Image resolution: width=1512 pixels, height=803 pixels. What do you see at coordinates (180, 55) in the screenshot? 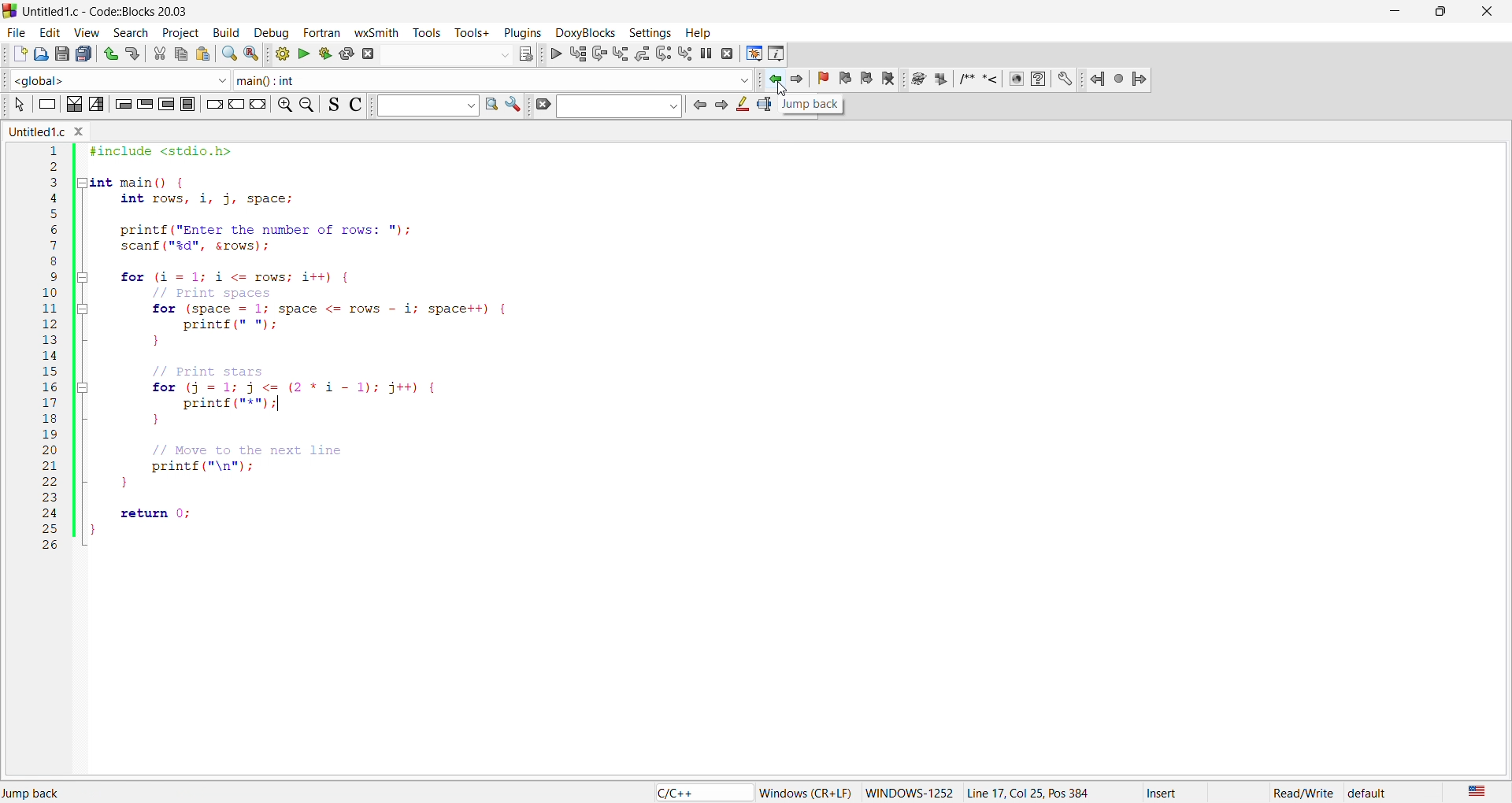
I see `copy` at bounding box center [180, 55].